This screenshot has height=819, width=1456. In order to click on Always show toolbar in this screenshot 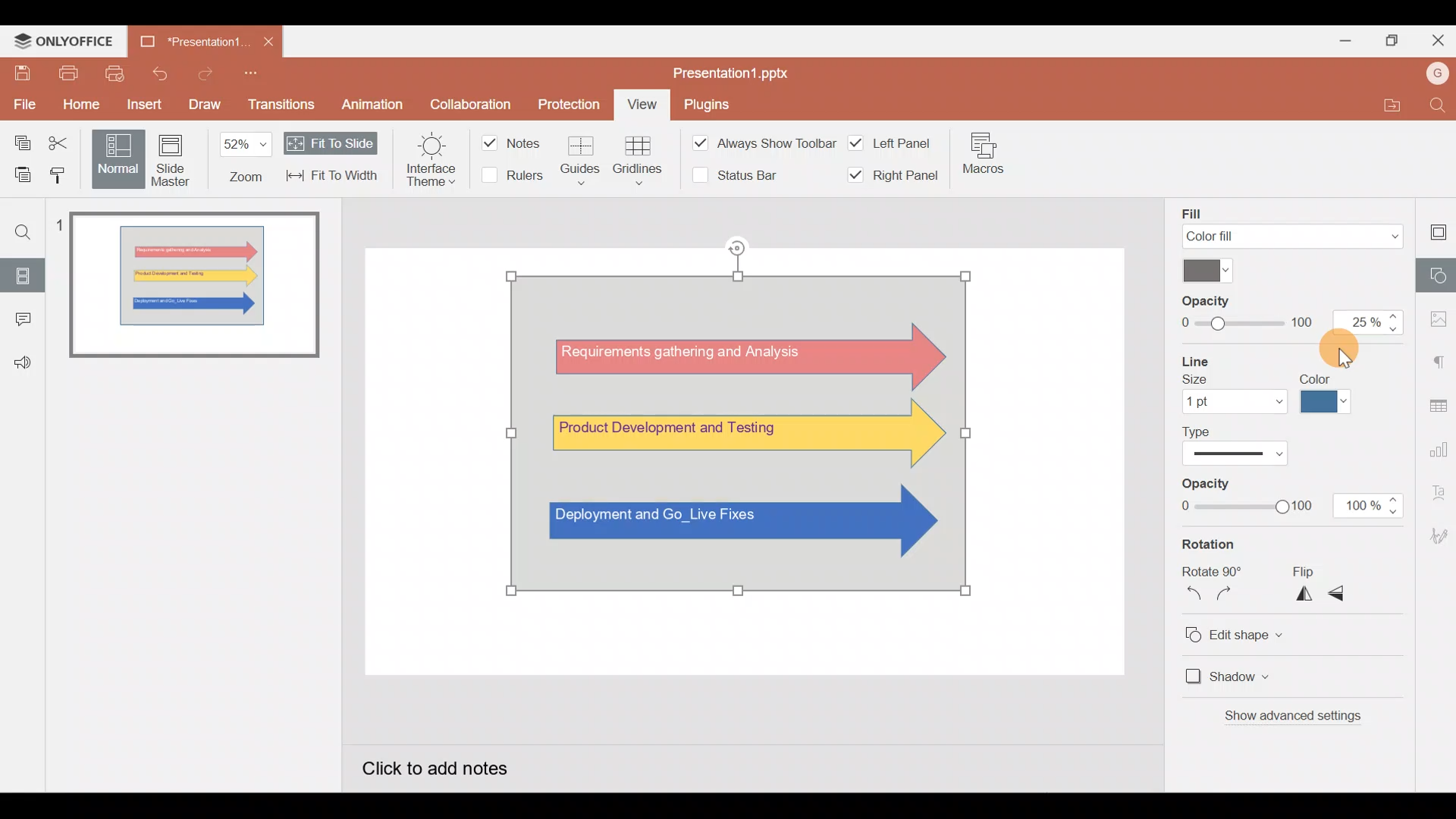, I will do `click(751, 142)`.